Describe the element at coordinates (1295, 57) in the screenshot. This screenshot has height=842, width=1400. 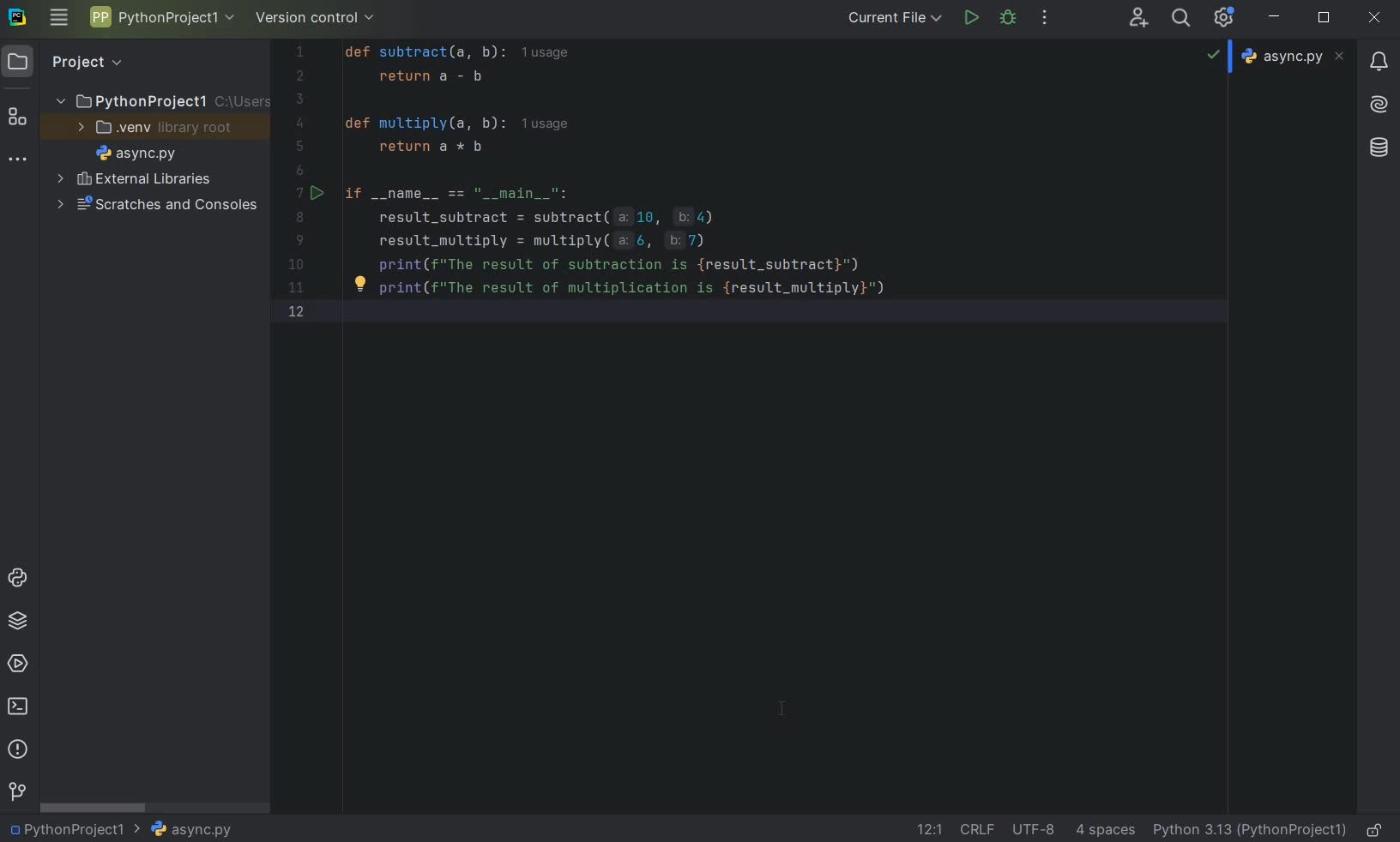
I see `async.py` at that location.